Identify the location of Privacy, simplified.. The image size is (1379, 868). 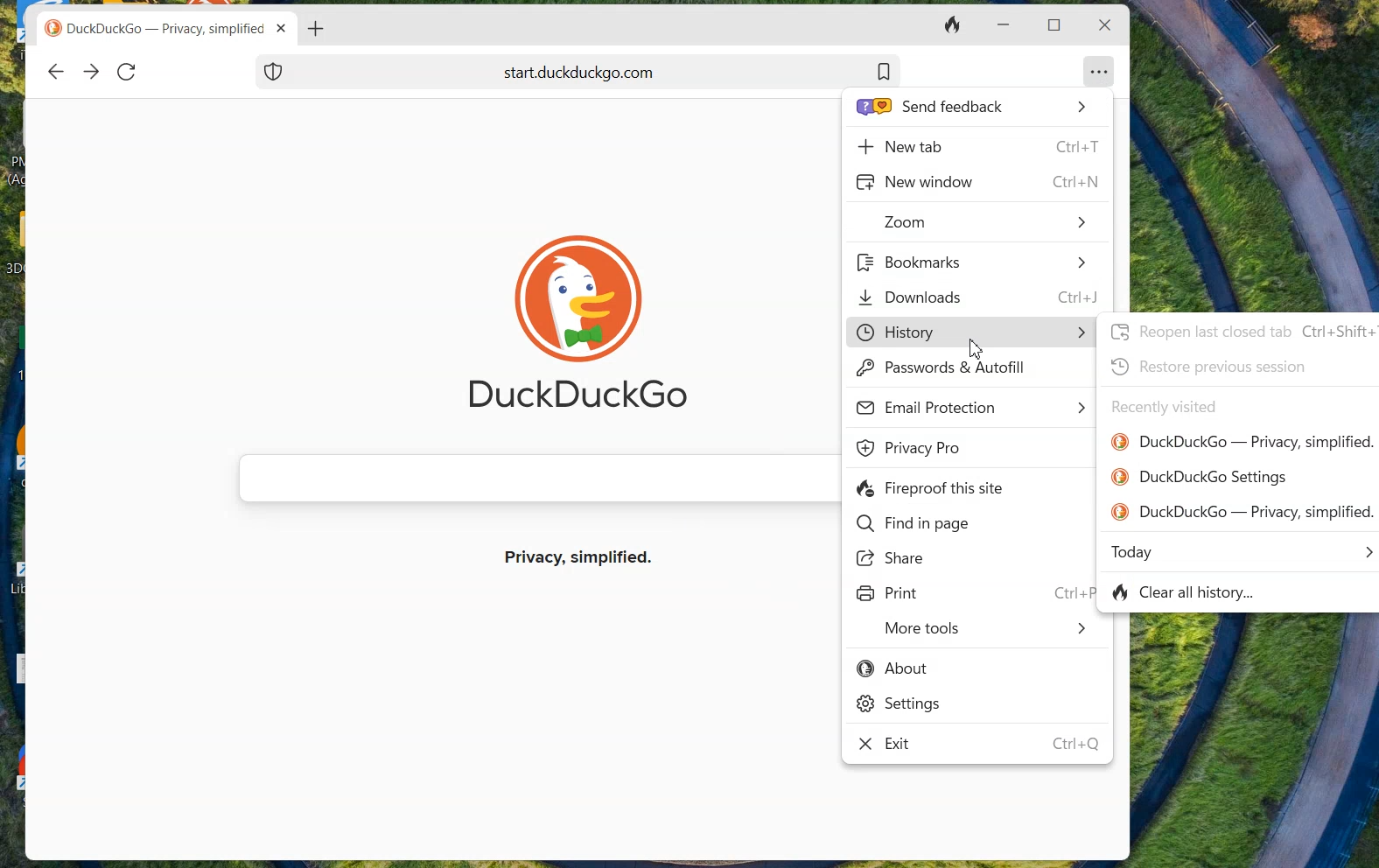
(582, 561).